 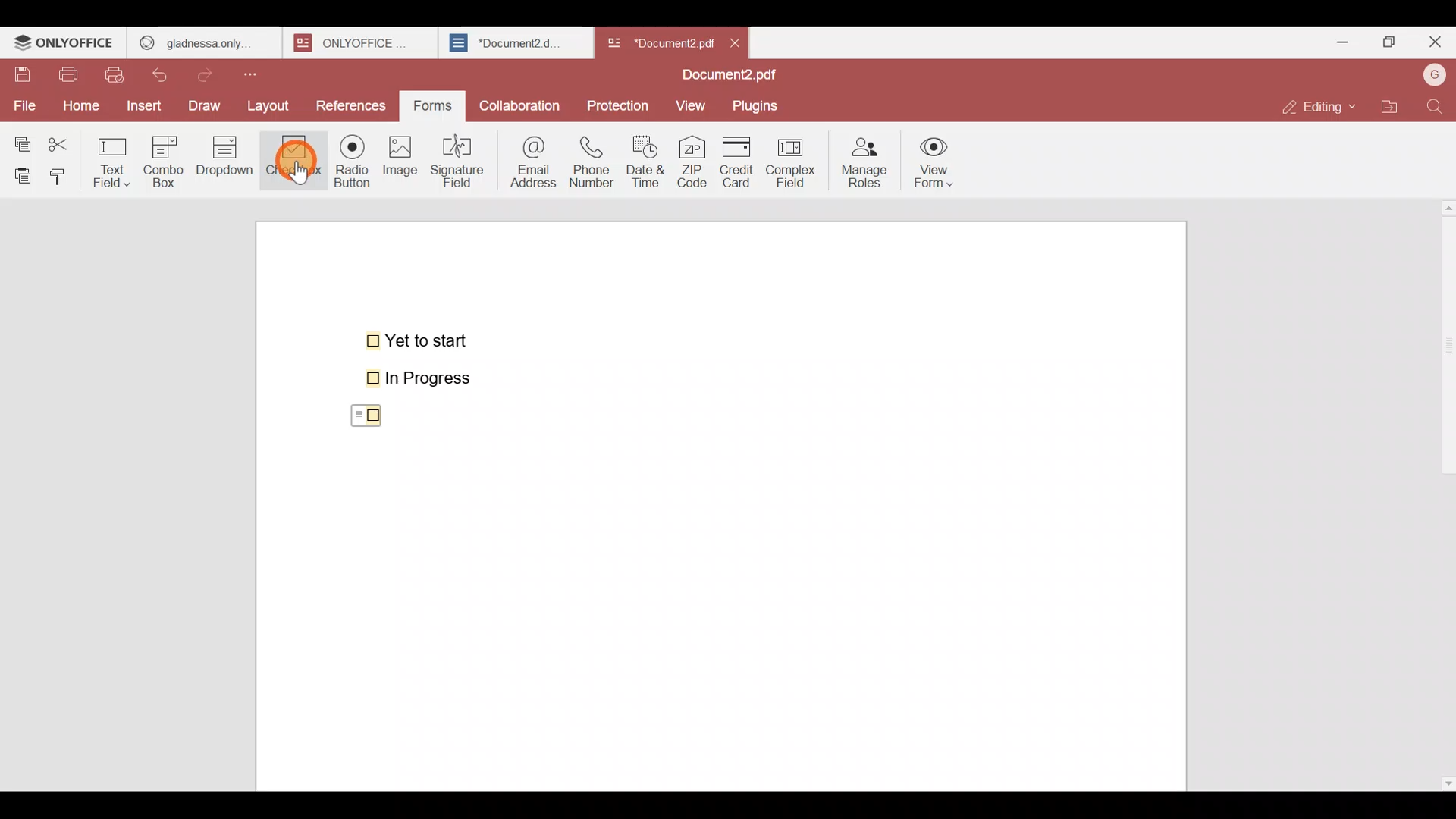 What do you see at coordinates (64, 45) in the screenshot?
I see `ONLYOFFICE` at bounding box center [64, 45].